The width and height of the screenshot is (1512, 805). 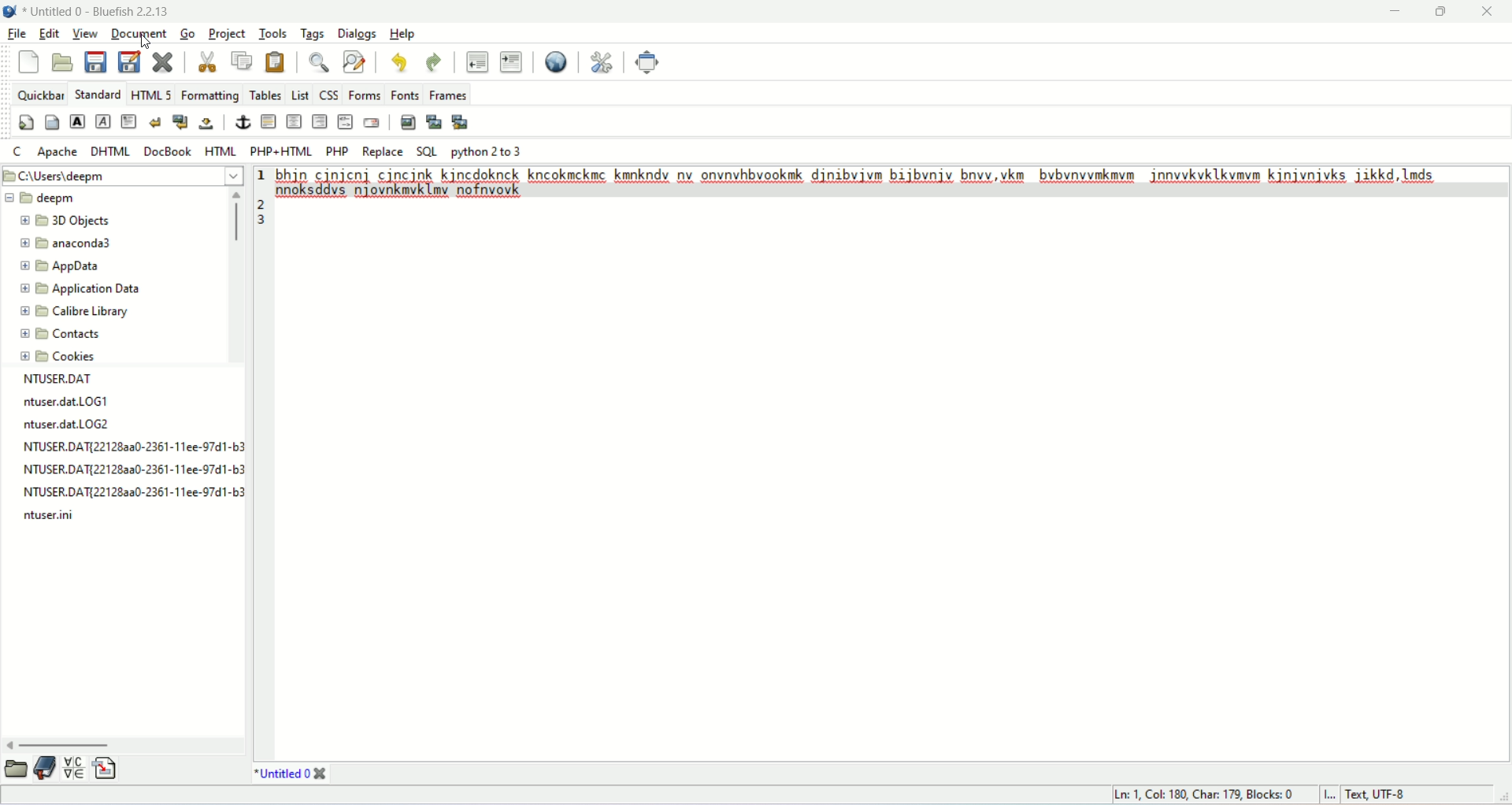 I want to click on horizontal scroll bar, so click(x=124, y=745).